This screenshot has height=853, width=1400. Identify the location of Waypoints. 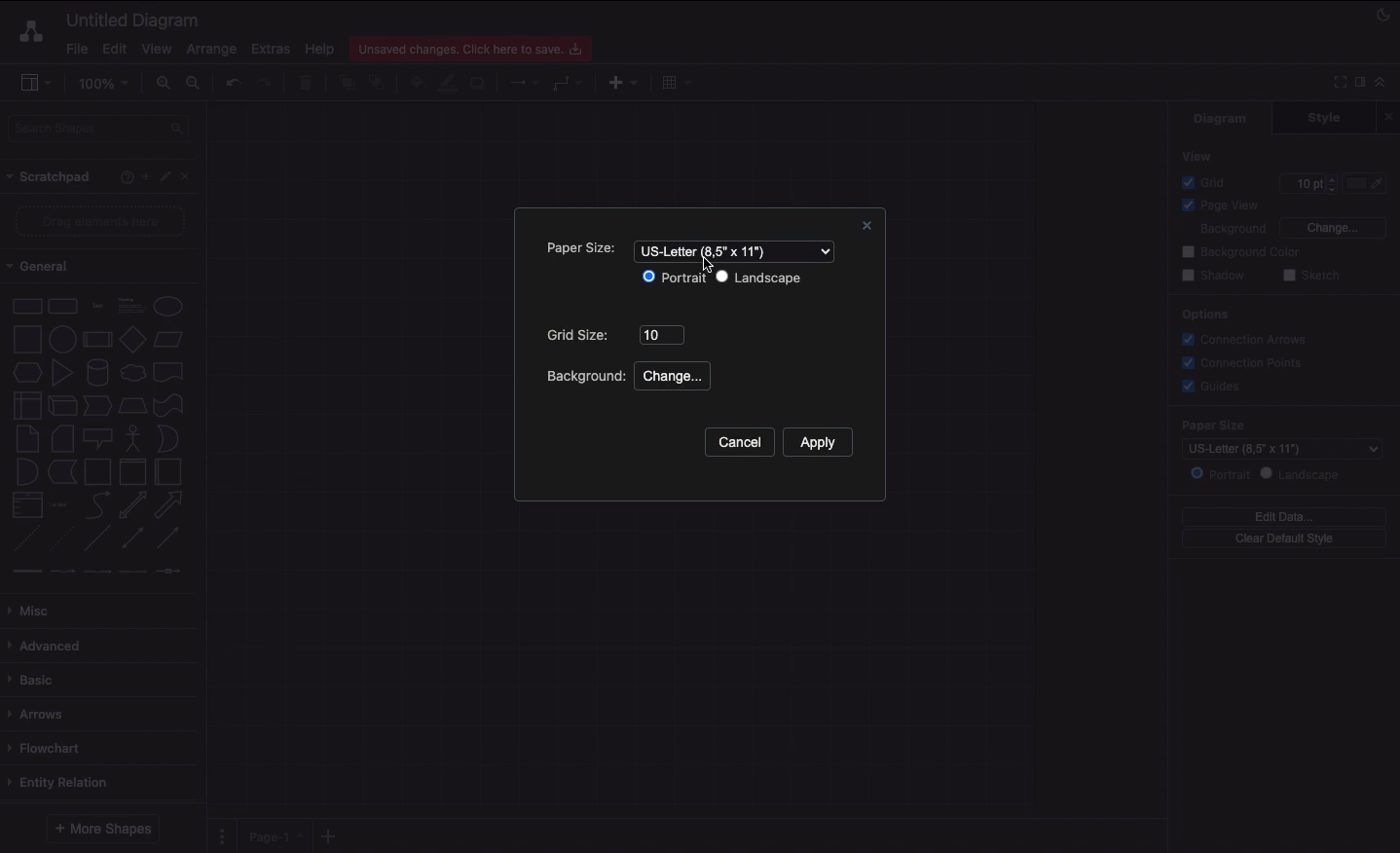
(569, 85).